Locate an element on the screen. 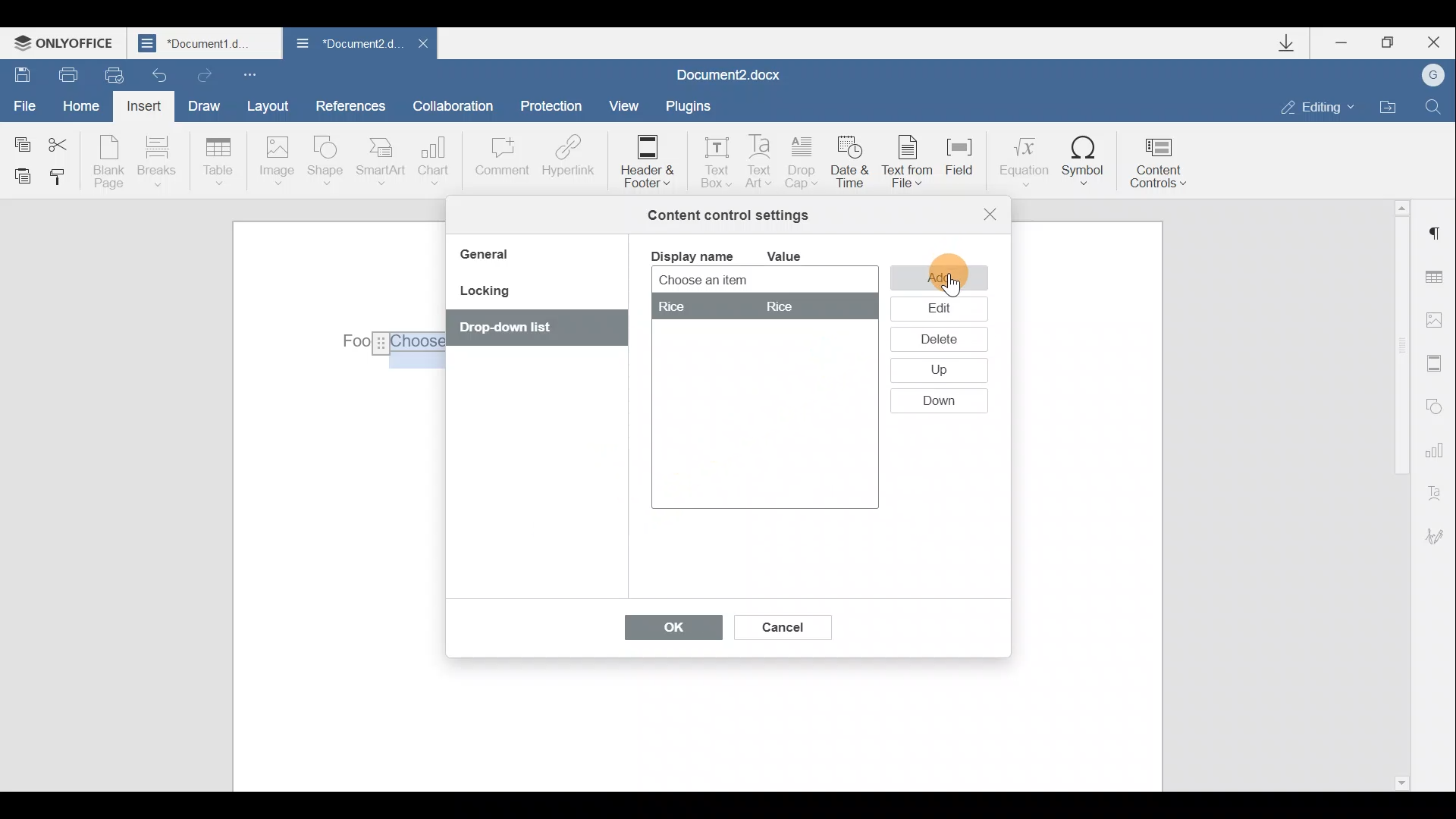 This screenshot has height=819, width=1456. Chart is located at coordinates (437, 161).